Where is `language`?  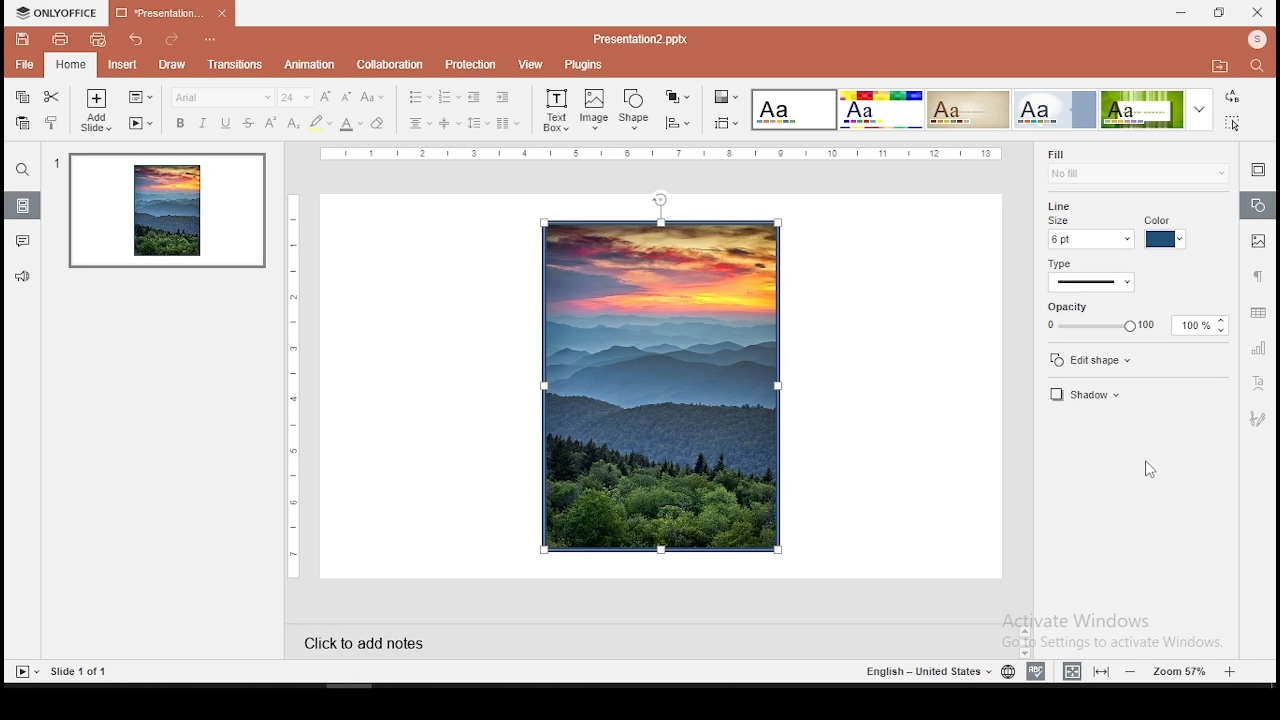
language is located at coordinates (1007, 671).